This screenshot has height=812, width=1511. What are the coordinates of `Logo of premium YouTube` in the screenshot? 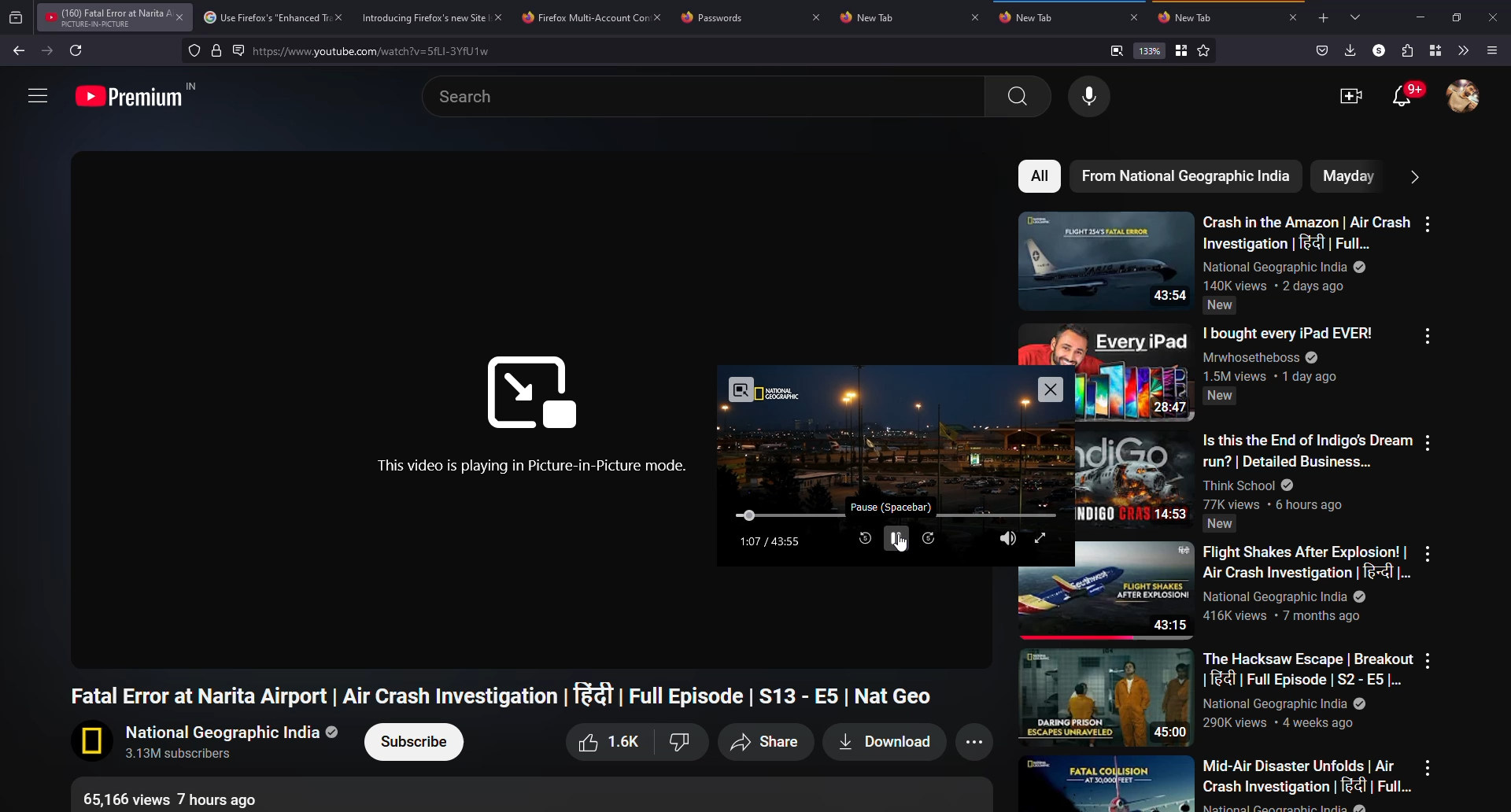 It's located at (139, 94).